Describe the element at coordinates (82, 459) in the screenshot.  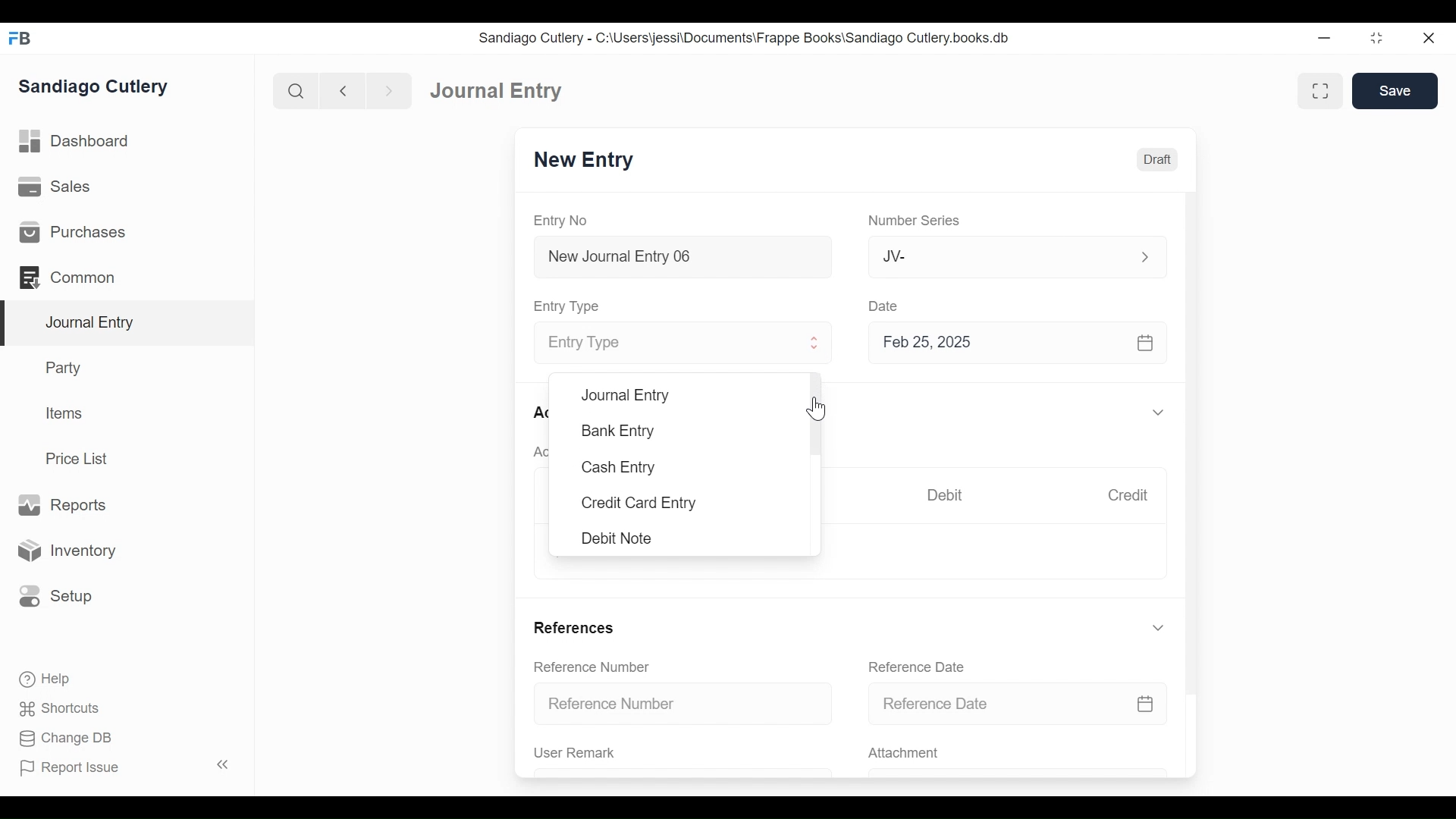
I see `Price List` at that location.